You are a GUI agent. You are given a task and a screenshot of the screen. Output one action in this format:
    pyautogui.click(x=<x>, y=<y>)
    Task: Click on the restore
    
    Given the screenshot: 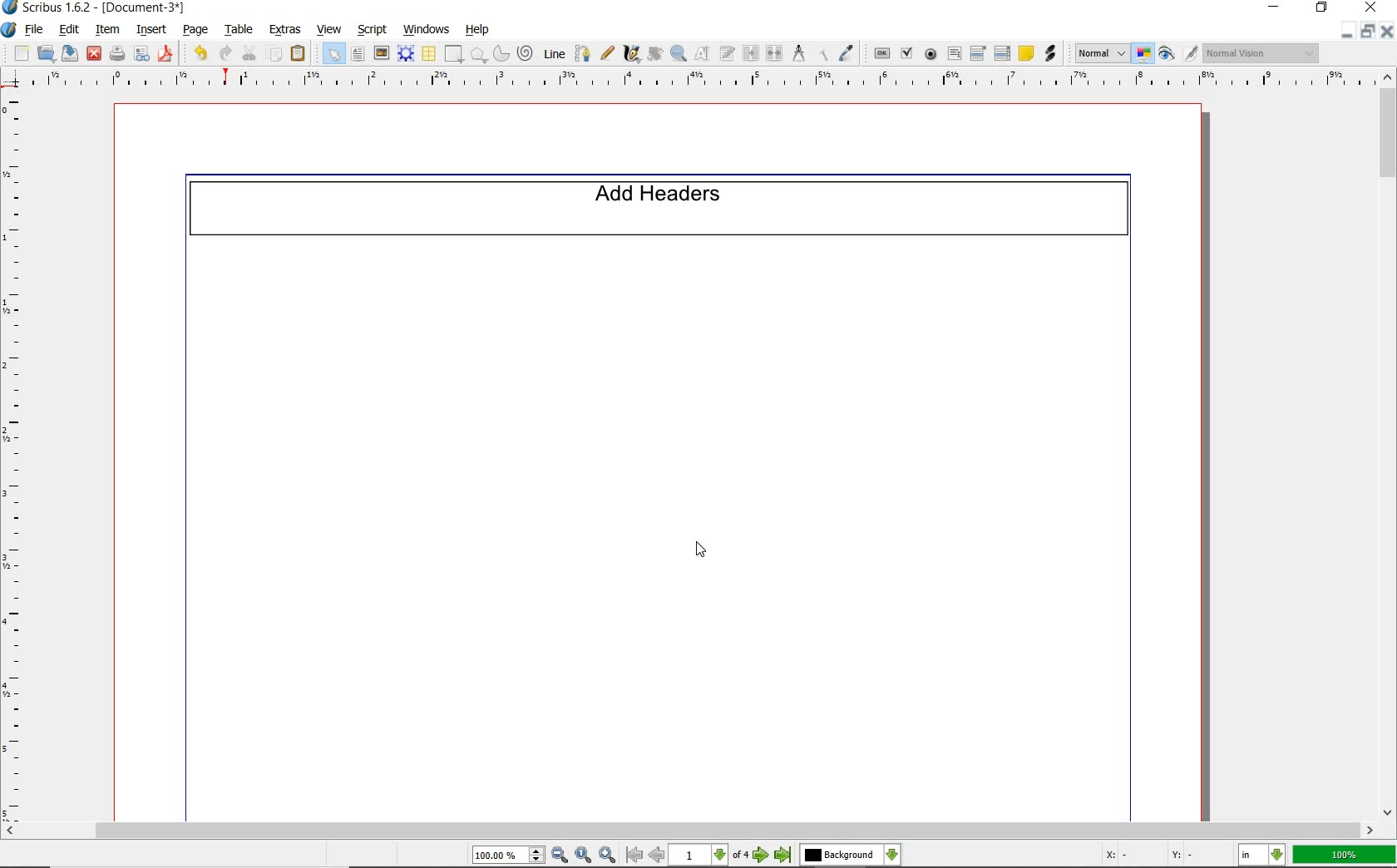 What is the action you would take?
    pyautogui.click(x=1369, y=32)
    